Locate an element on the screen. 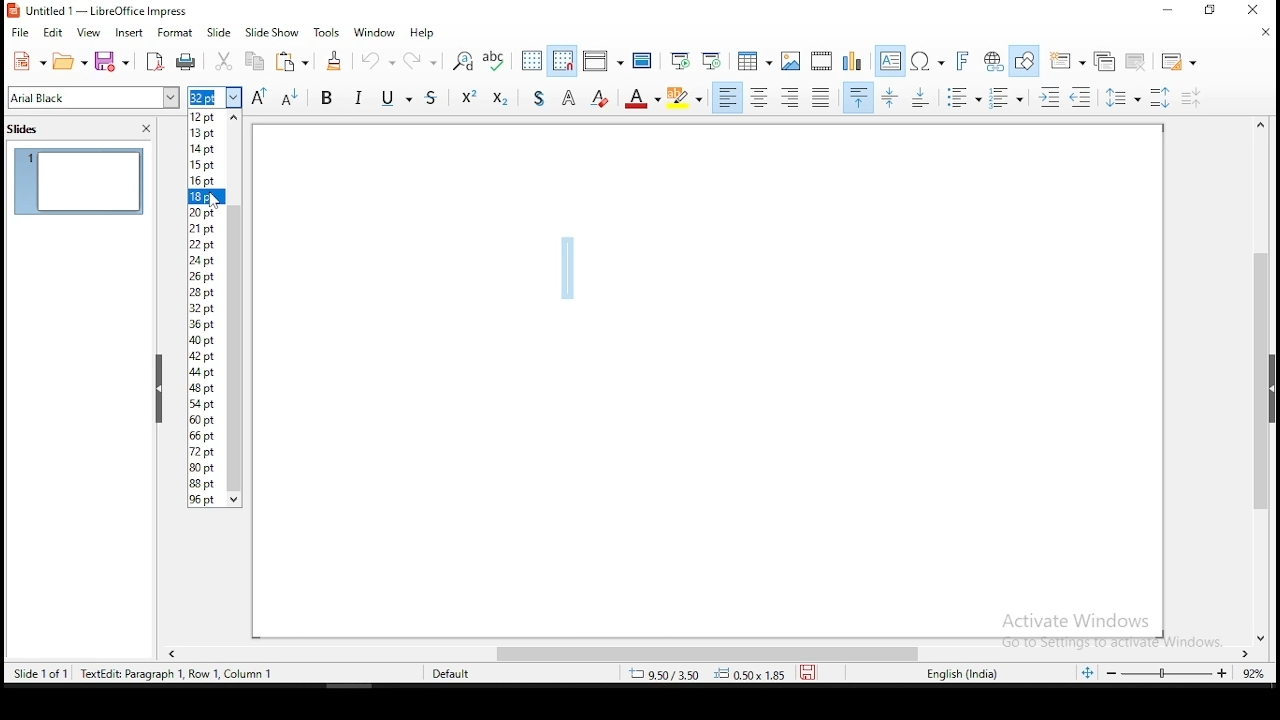 This screenshot has width=1280, height=720. Italics is located at coordinates (359, 96).